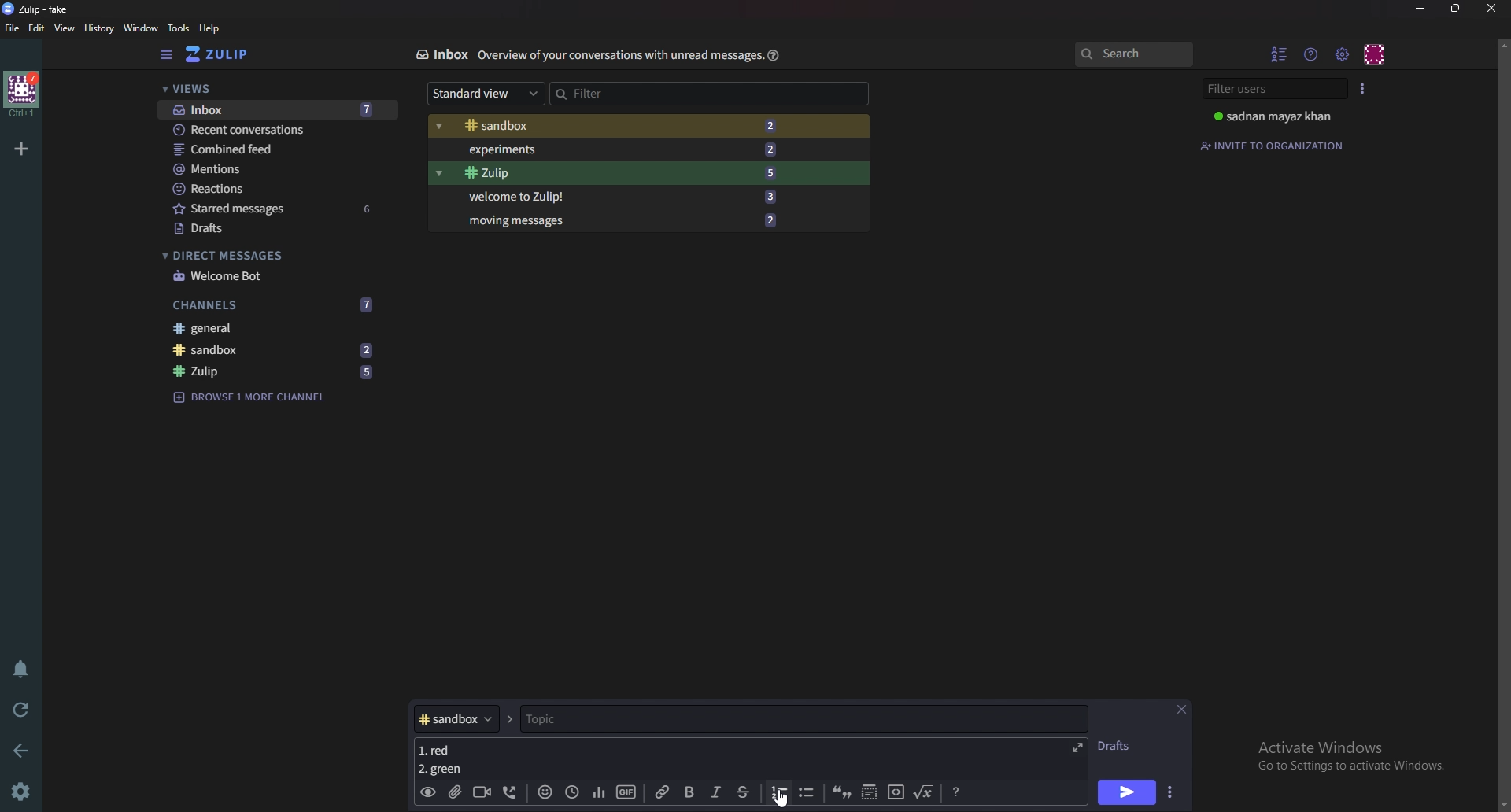 The height and width of the screenshot is (812, 1511). I want to click on back, so click(24, 748).